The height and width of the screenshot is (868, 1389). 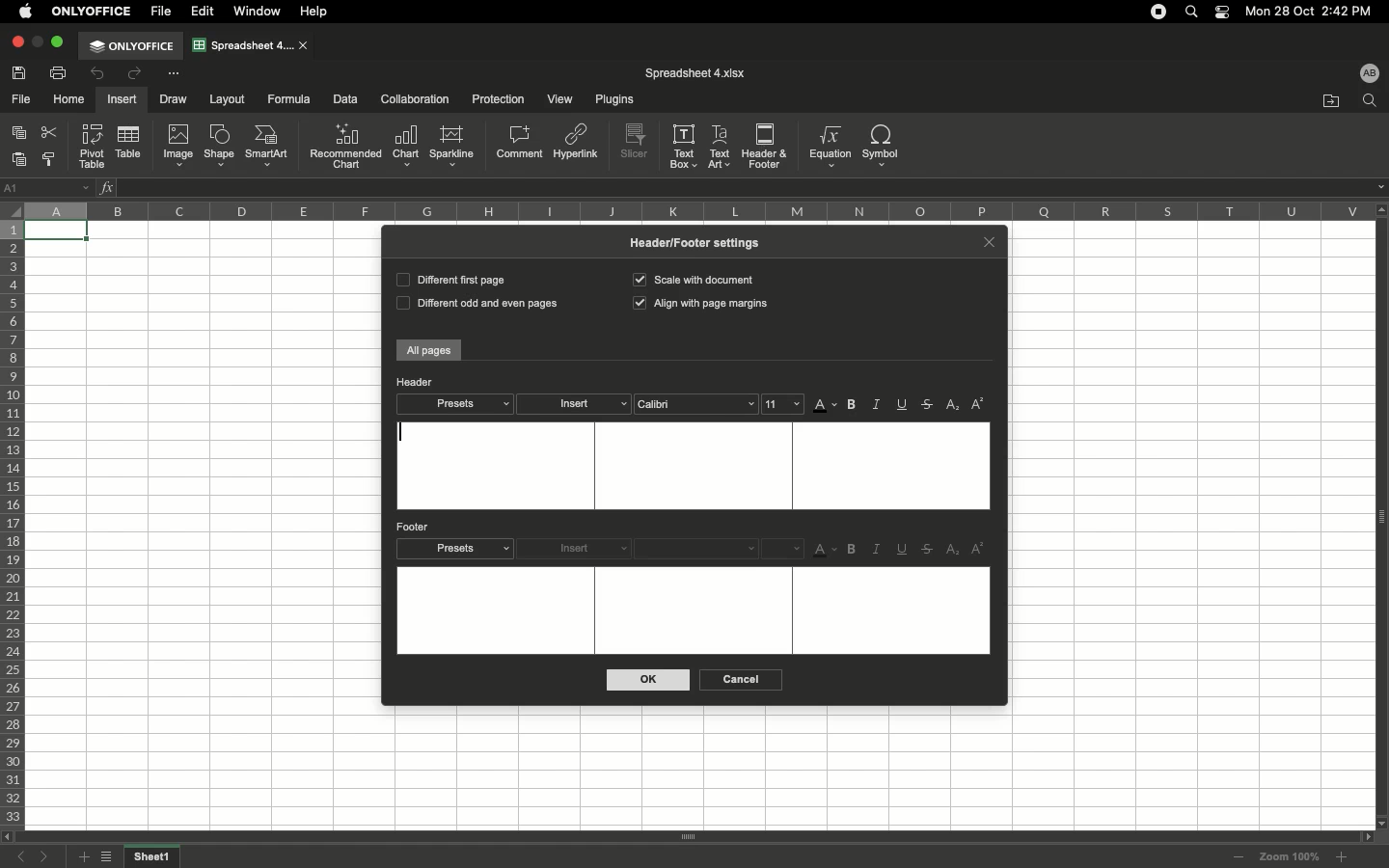 What do you see at coordinates (649, 680) in the screenshot?
I see `OK` at bounding box center [649, 680].